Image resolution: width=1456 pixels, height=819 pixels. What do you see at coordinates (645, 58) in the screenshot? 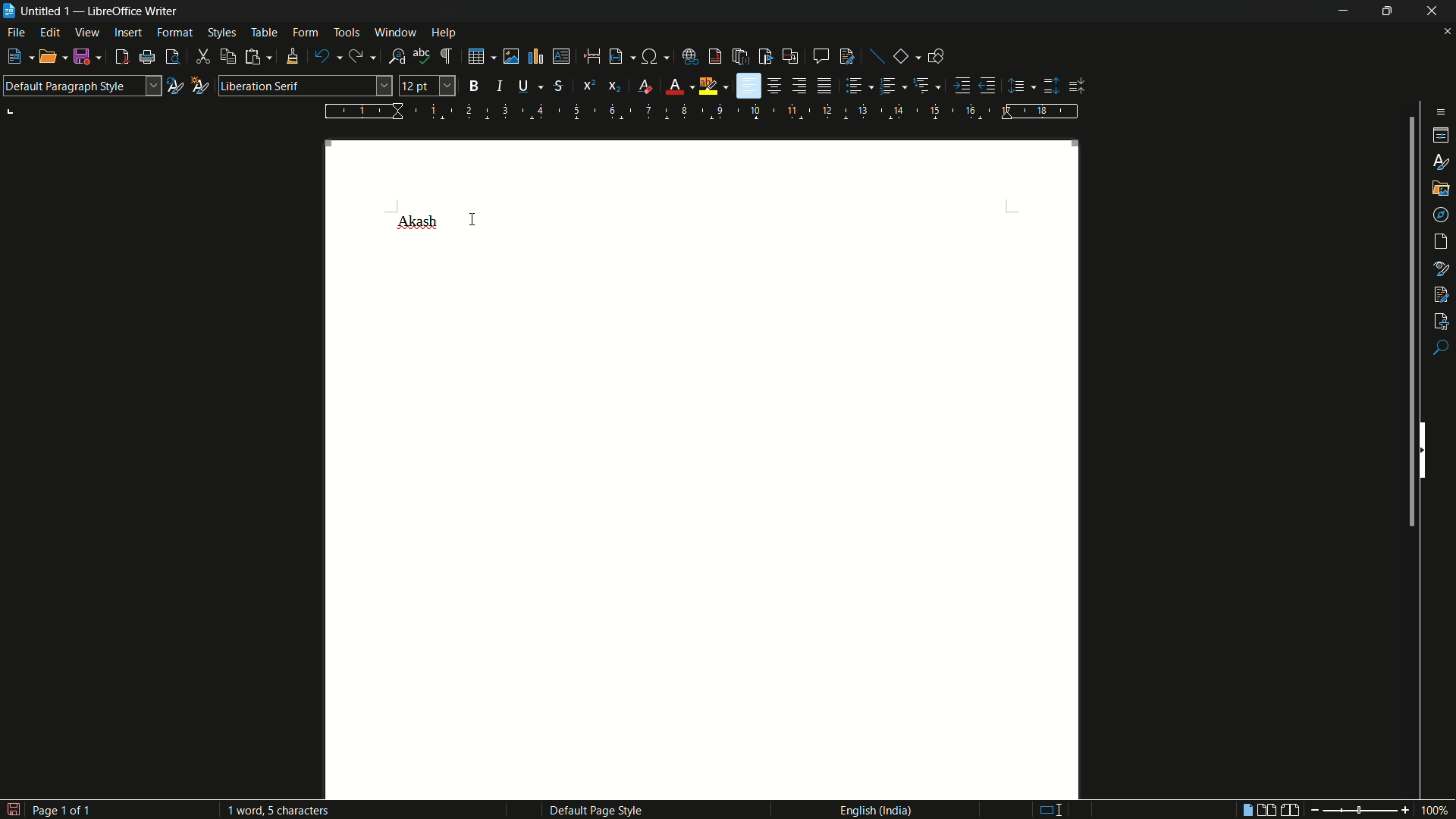
I see `insert special characters` at bounding box center [645, 58].